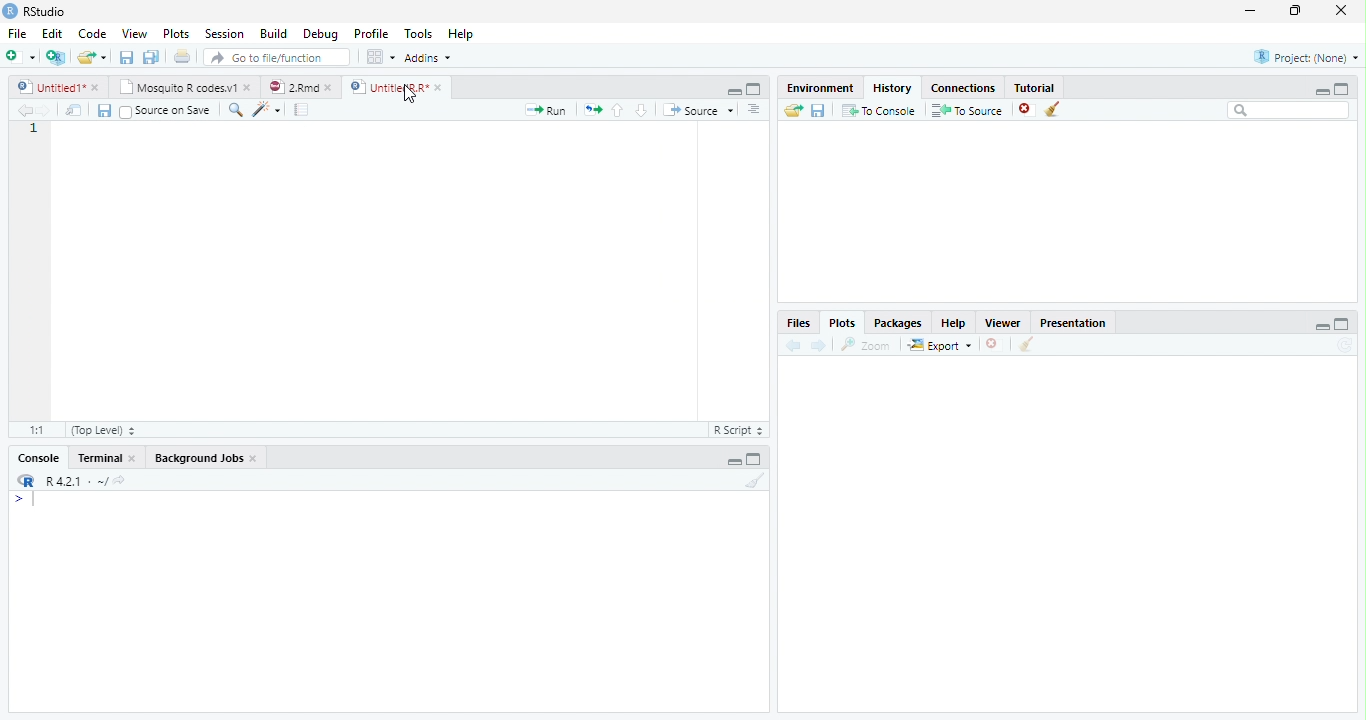 The width and height of the screenshot is (1366, 720). Describe the element at coordinates (940, 345) in the screenshot. I see `Export` at that location.